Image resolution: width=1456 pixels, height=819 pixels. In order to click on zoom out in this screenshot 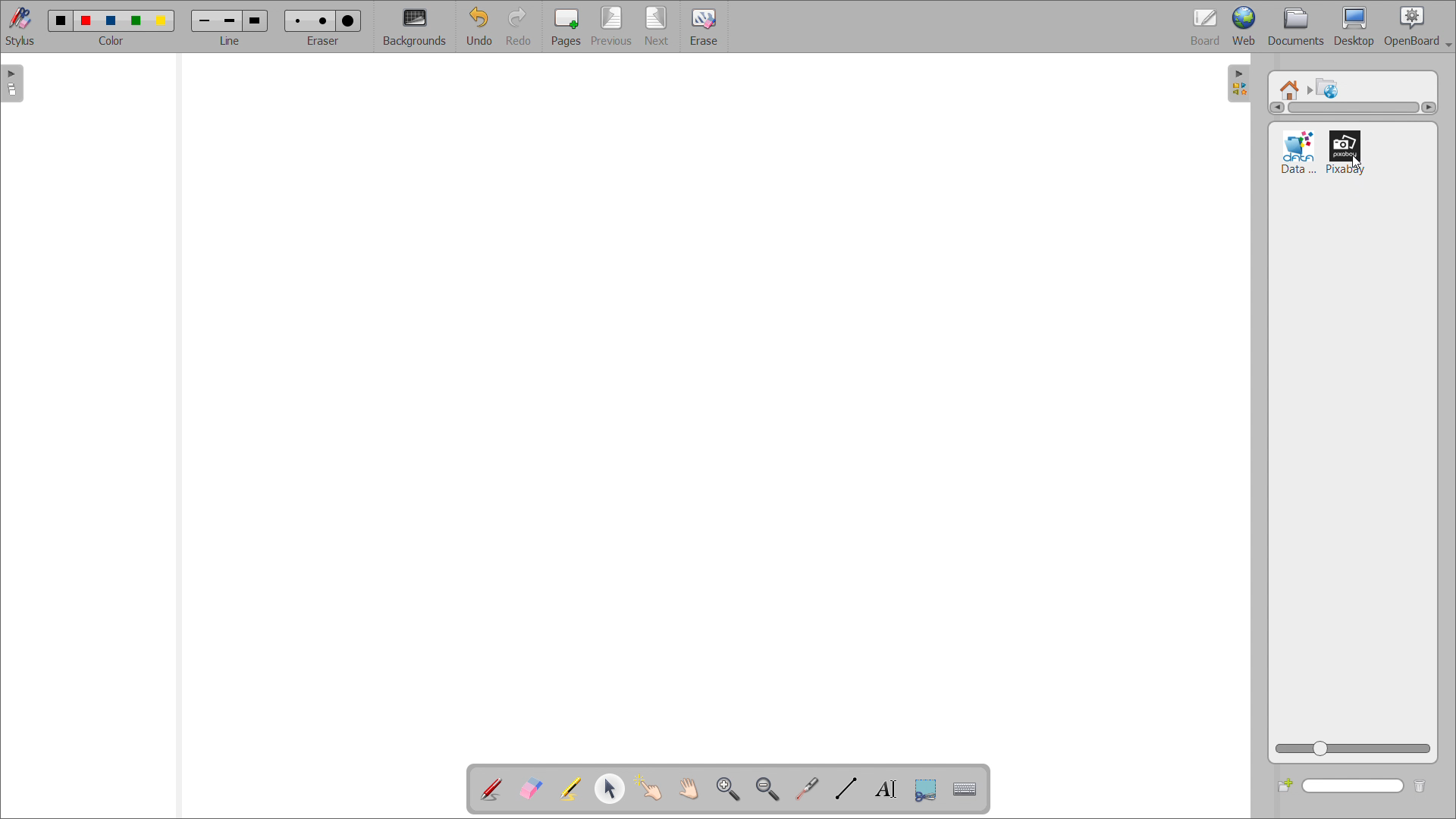, I will do `click(768, 789)`.